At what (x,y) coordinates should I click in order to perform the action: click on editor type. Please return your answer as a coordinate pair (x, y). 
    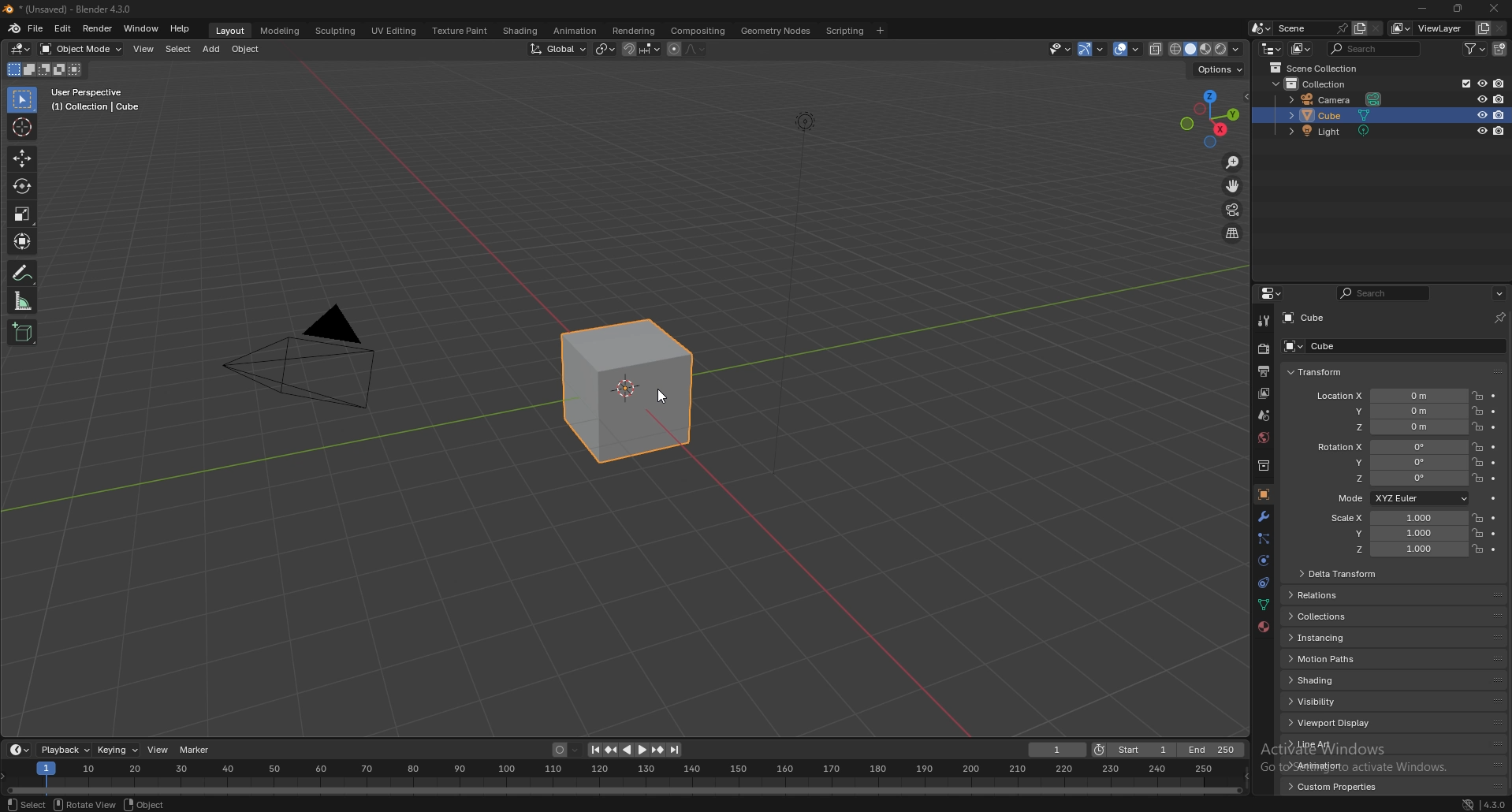
    Looking at the image, I should click on (21, 49).